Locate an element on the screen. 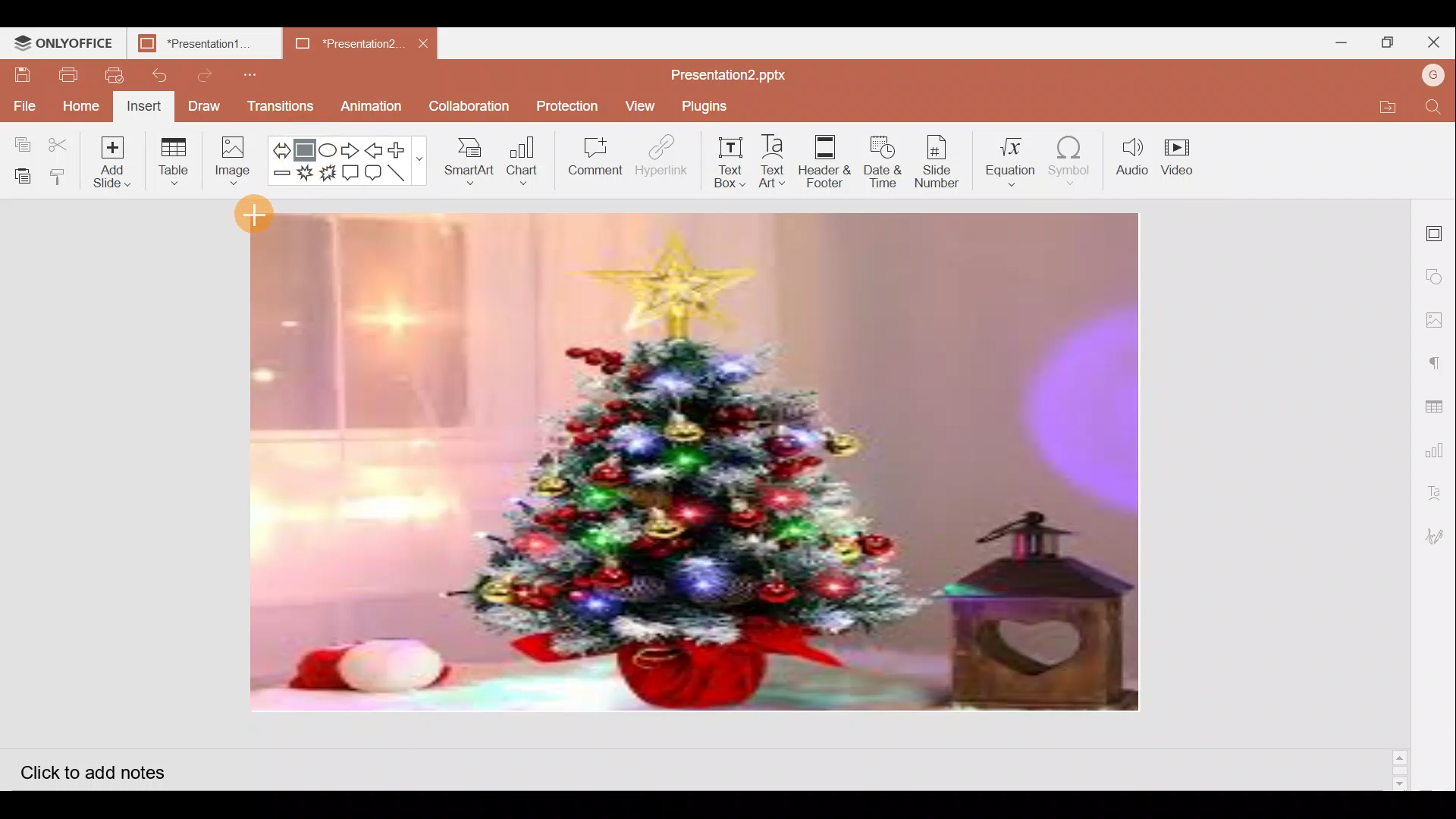  Hyperlink is located at coordinates (657, 158).